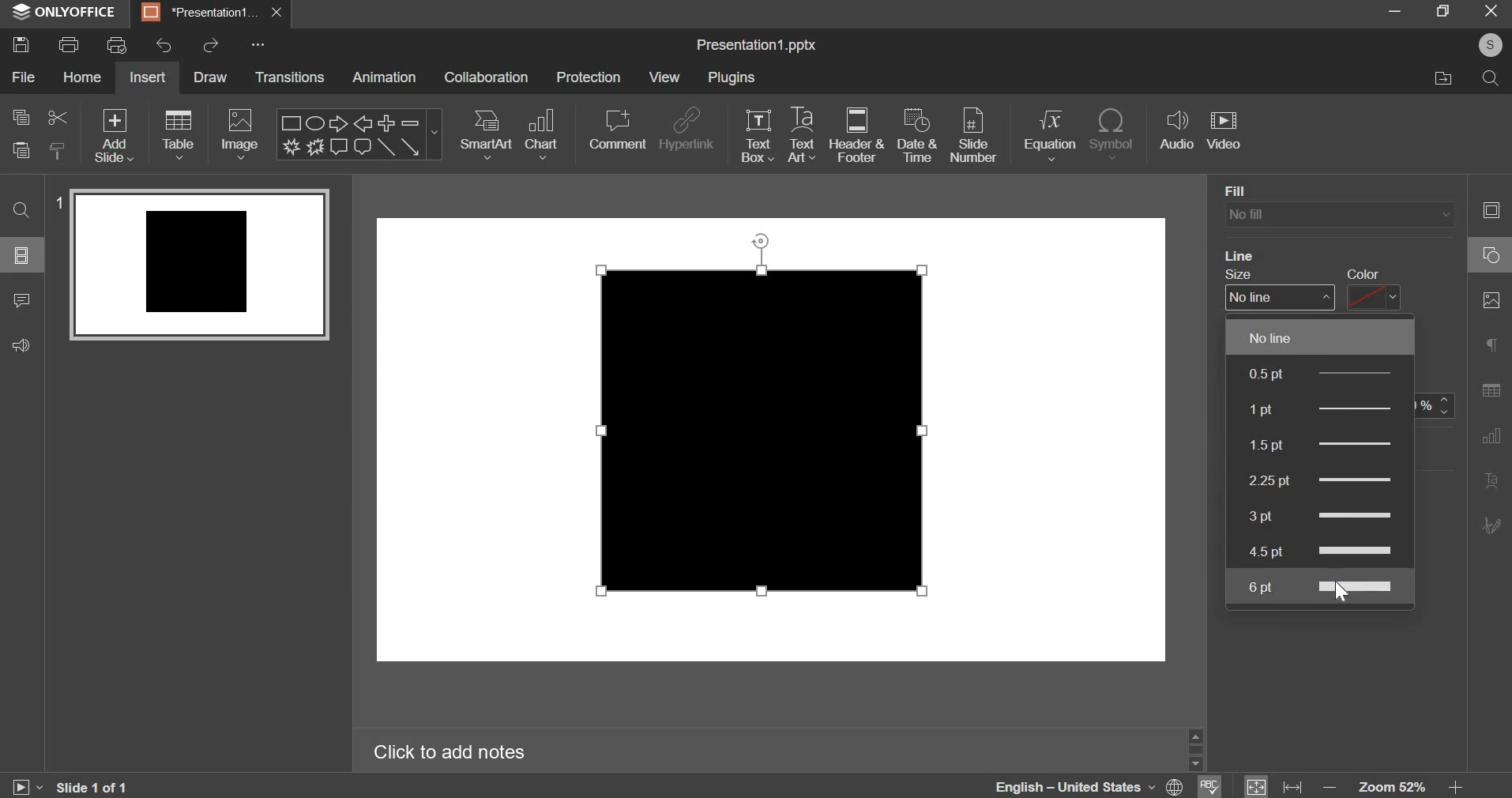 This screenshot has width=1512, height=798. What do you see at coordinates (1113, 134) in the screenshot?
I see `symbol` at bounding box center [1113, 134].